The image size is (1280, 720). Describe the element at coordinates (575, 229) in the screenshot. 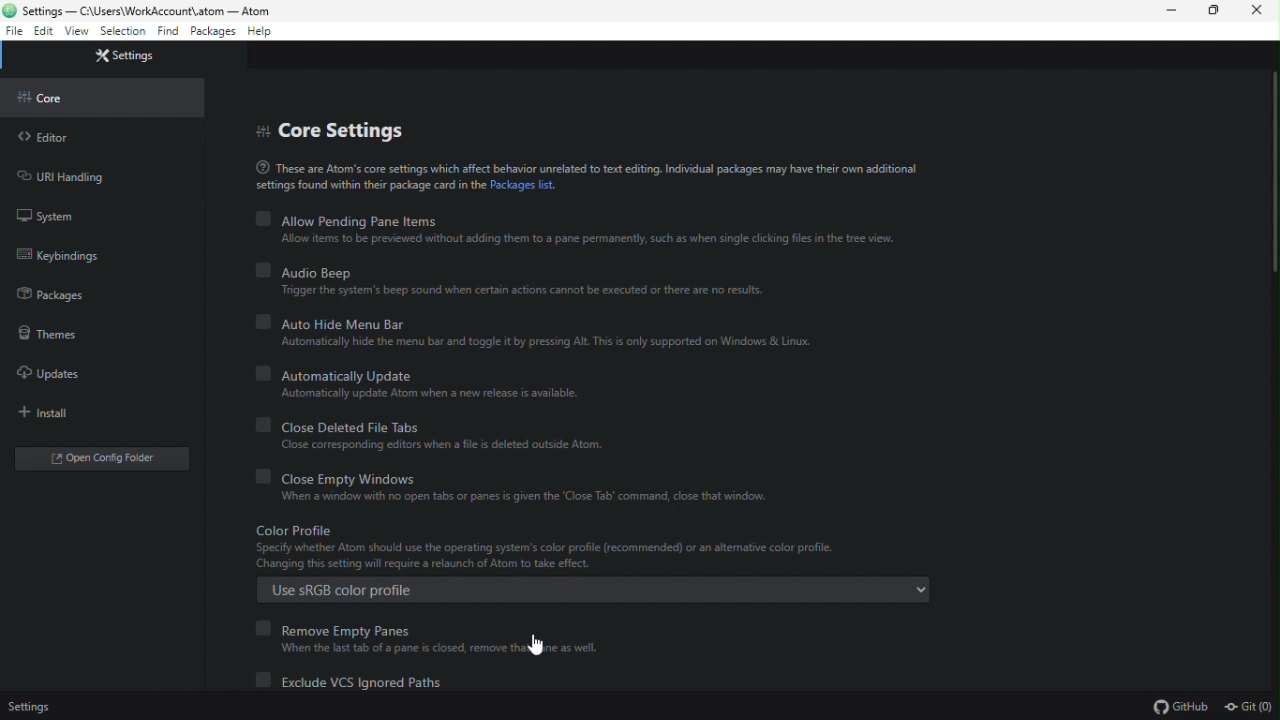

I see `allow pending pane items` at that location.